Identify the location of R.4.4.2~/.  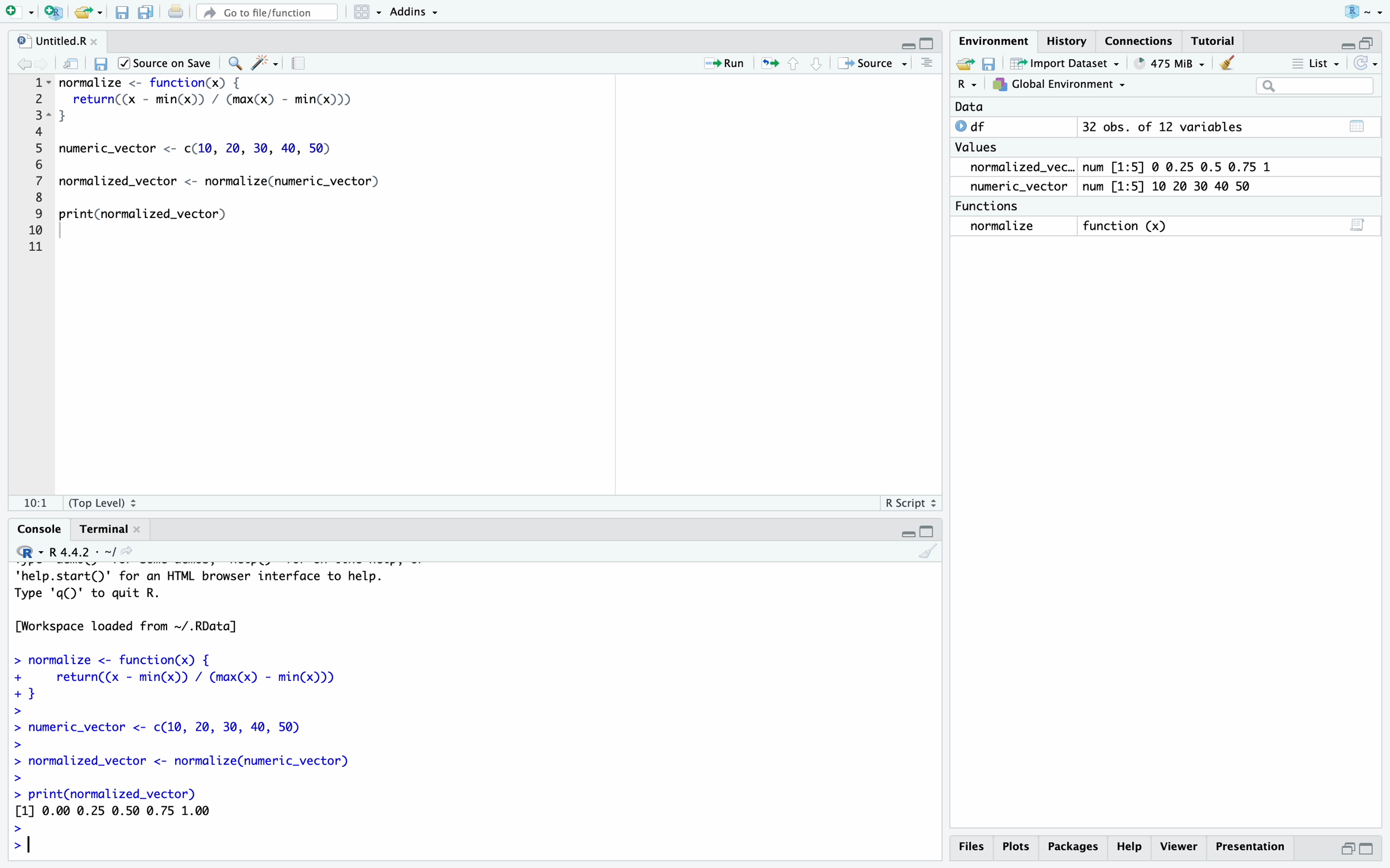
(80, 552).